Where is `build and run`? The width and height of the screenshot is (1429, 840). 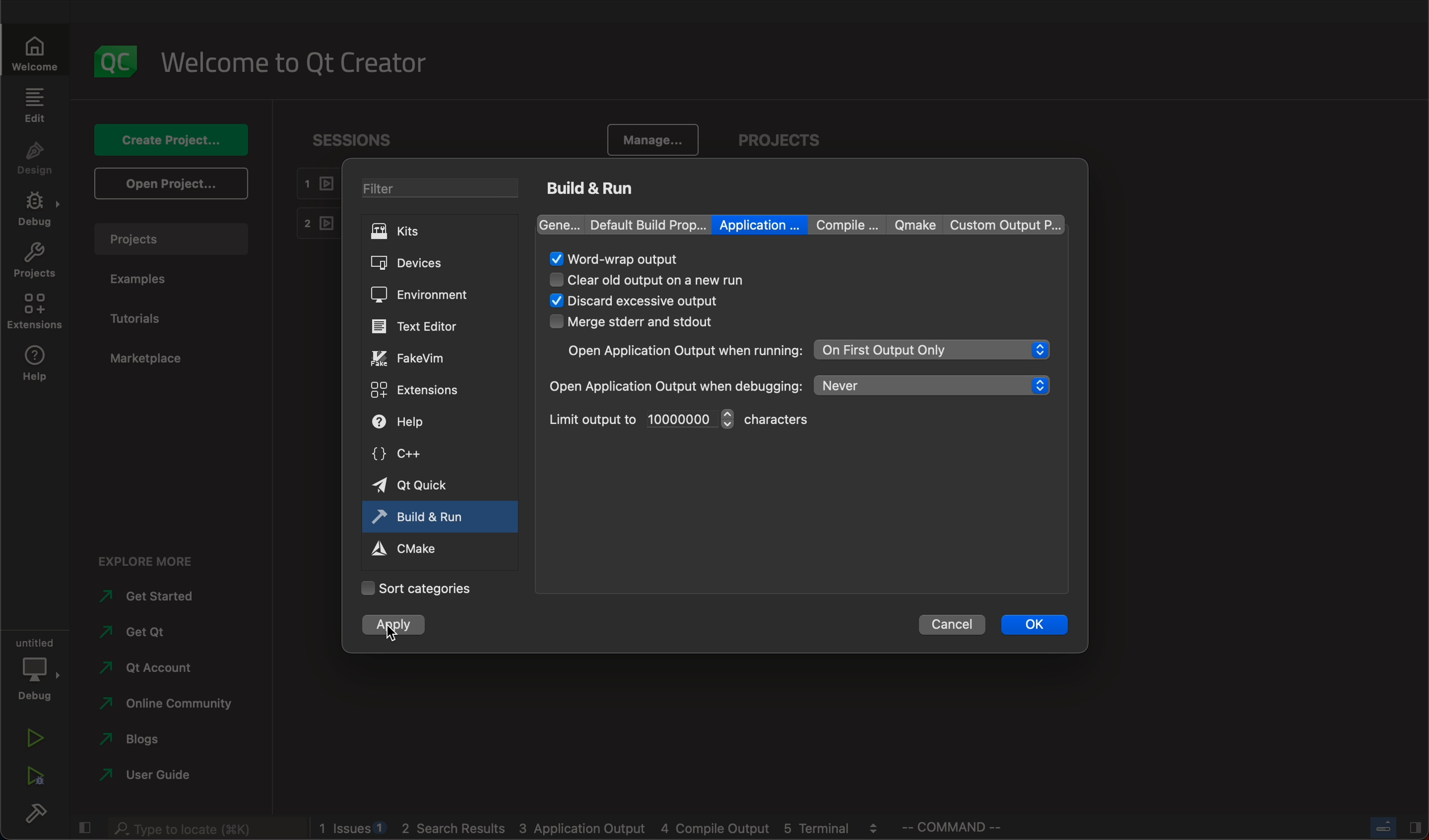
build and run is located at coordinates (594, 187).